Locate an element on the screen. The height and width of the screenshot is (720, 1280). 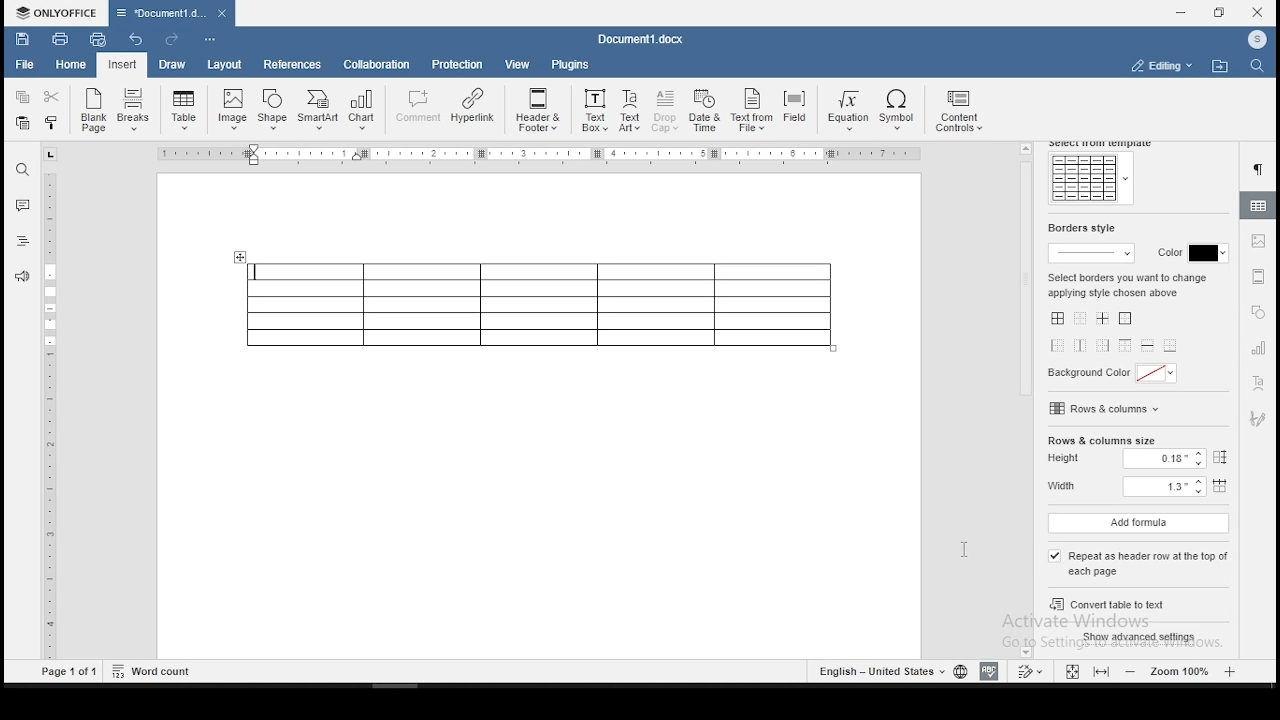
Field is located at coordinates (794, 108).